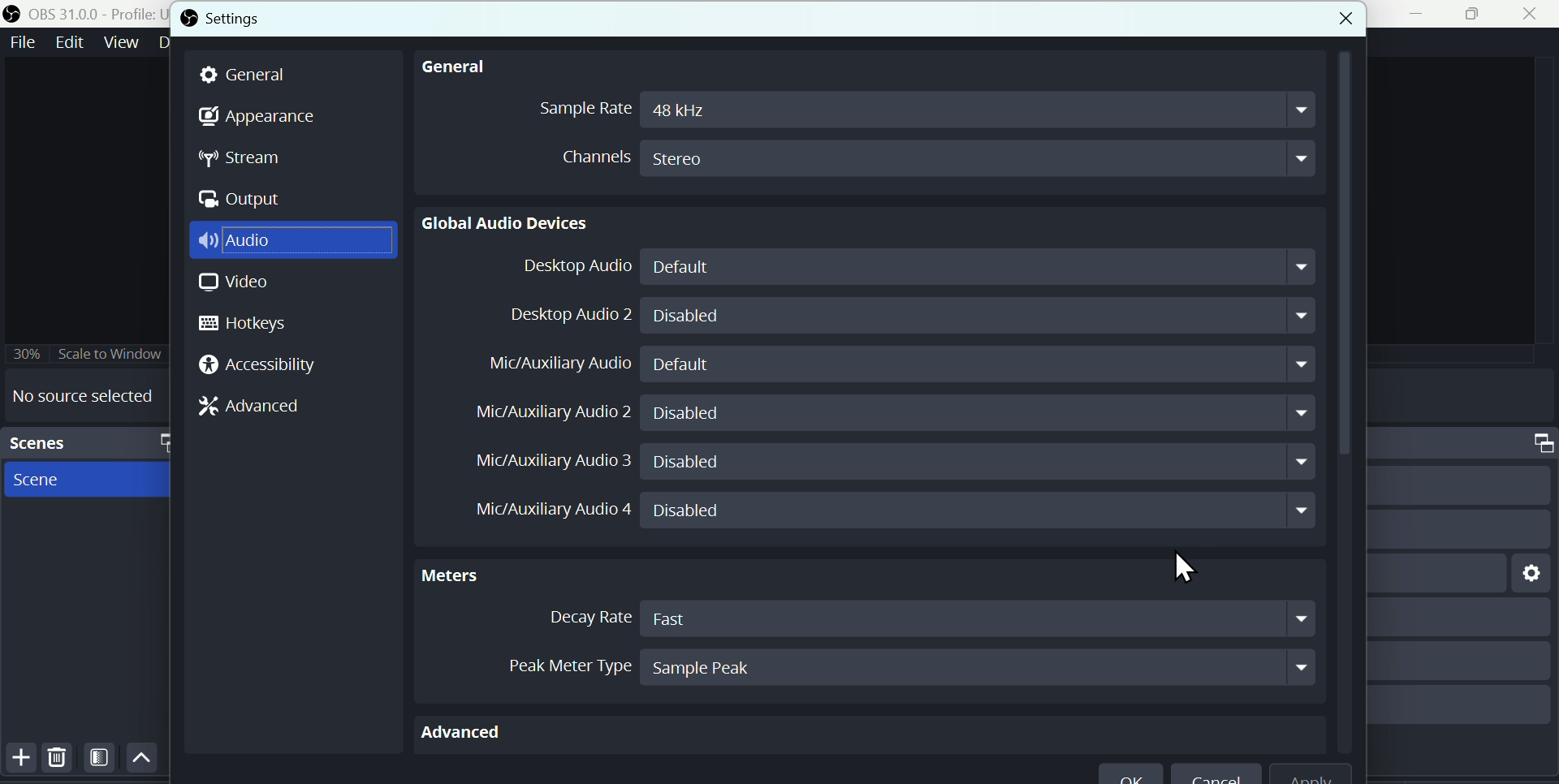  I want to click on ok, so click(1134, 773).